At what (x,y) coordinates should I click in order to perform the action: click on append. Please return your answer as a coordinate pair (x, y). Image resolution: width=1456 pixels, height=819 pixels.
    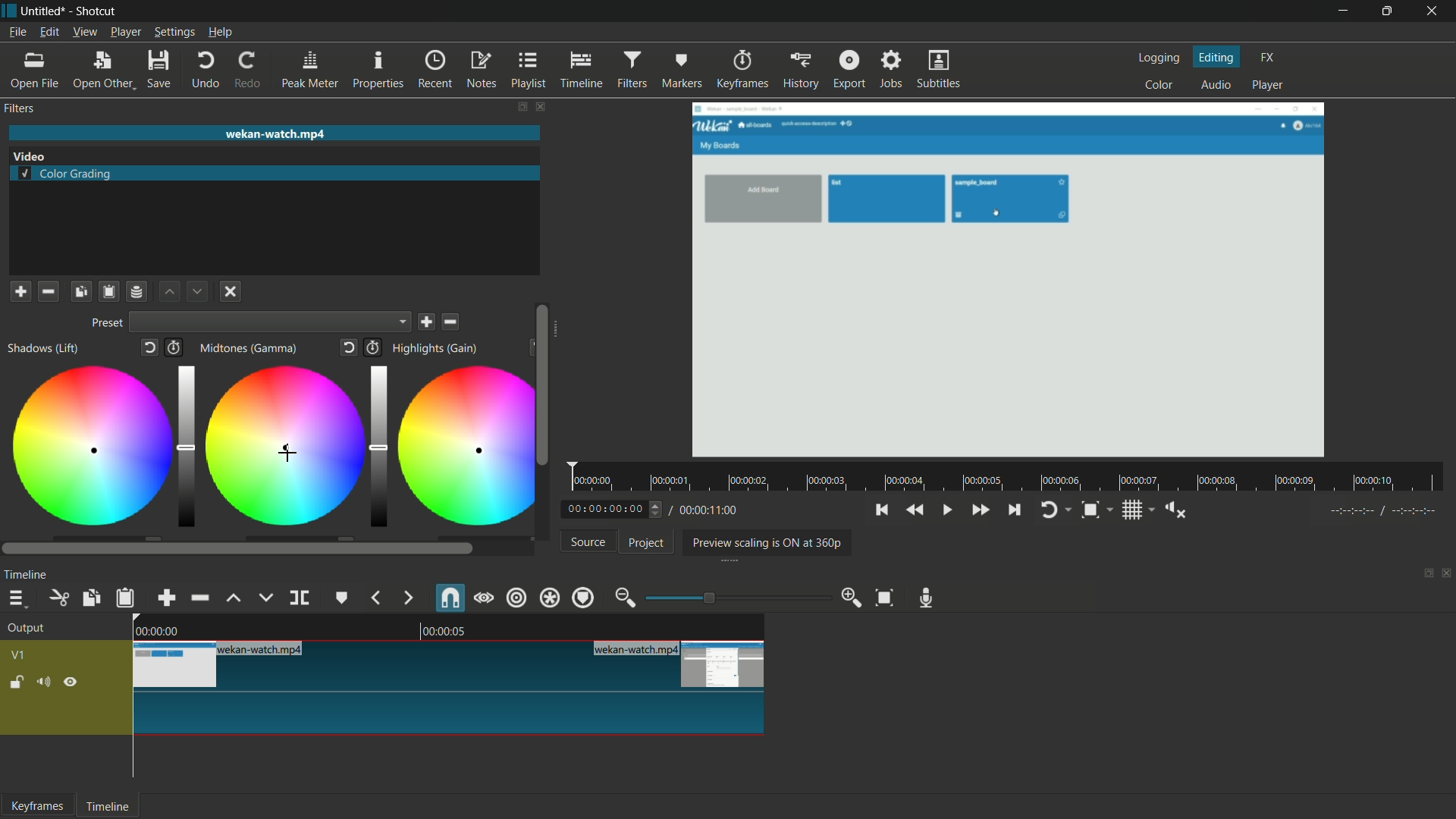
    Looking at the image, I should click on (167, 598).